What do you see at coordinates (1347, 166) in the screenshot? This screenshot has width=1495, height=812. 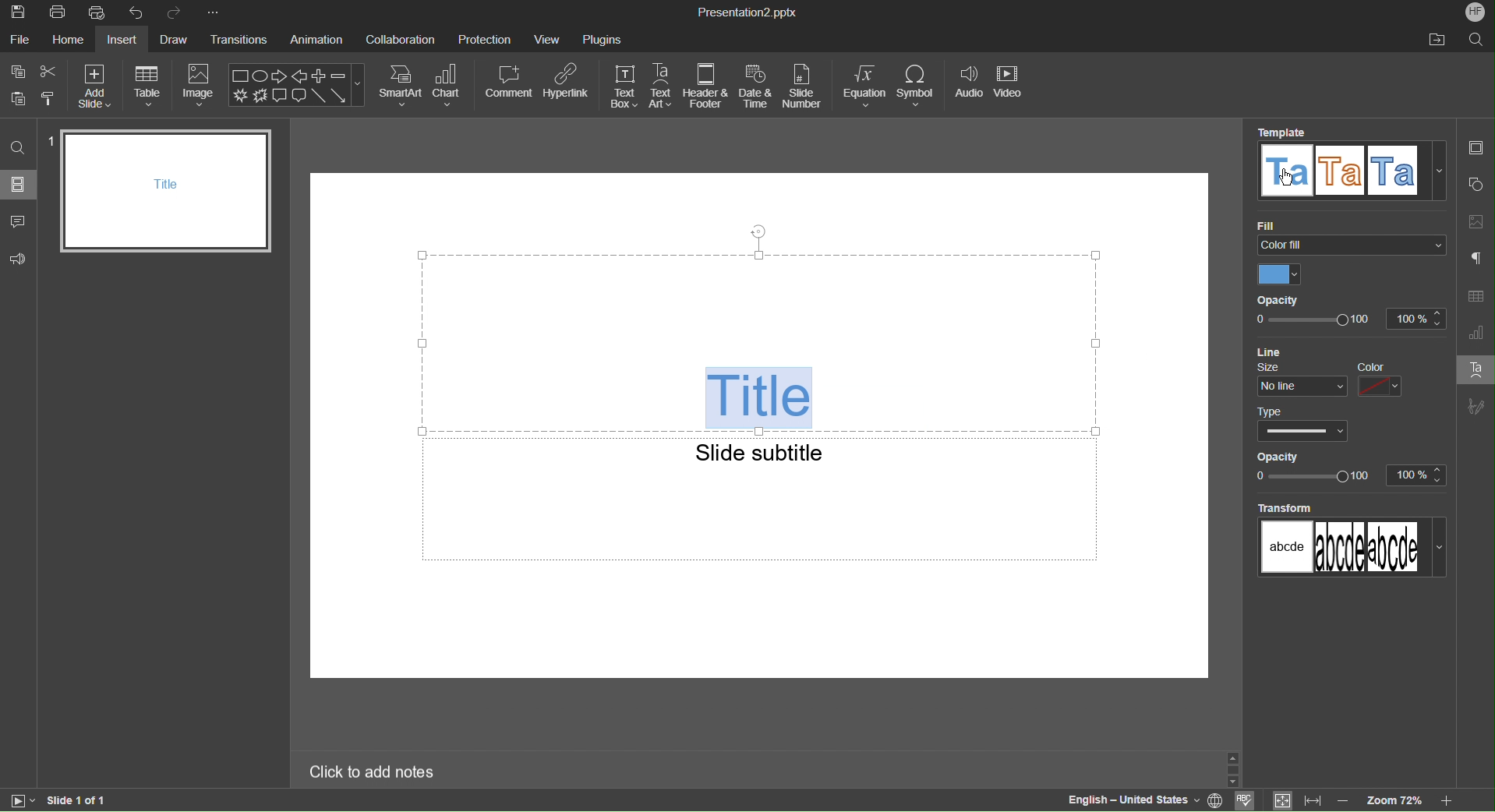 I see `Template` at bounding box center [1347, 166].